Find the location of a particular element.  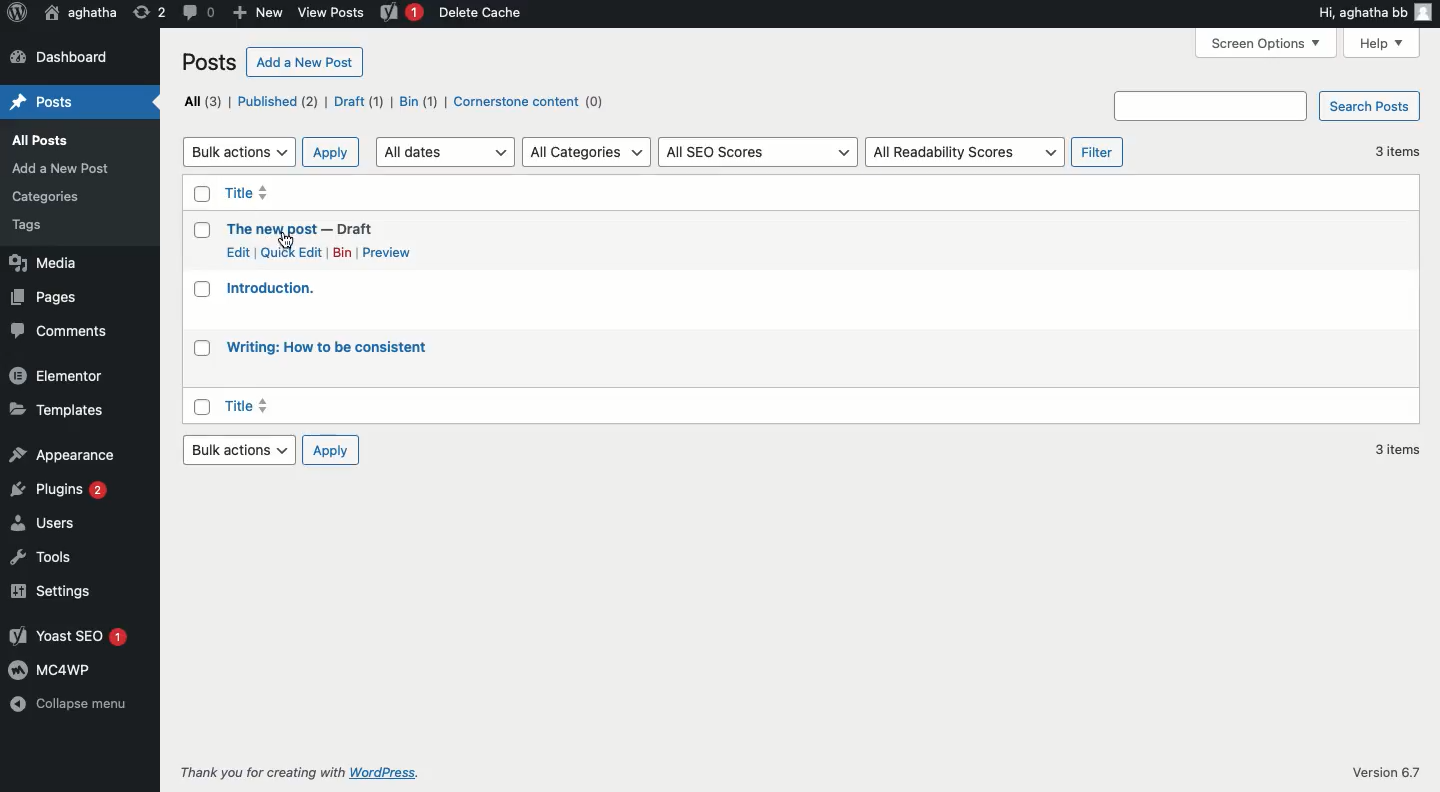

Collapse menu is located at coordinates (70, 705).